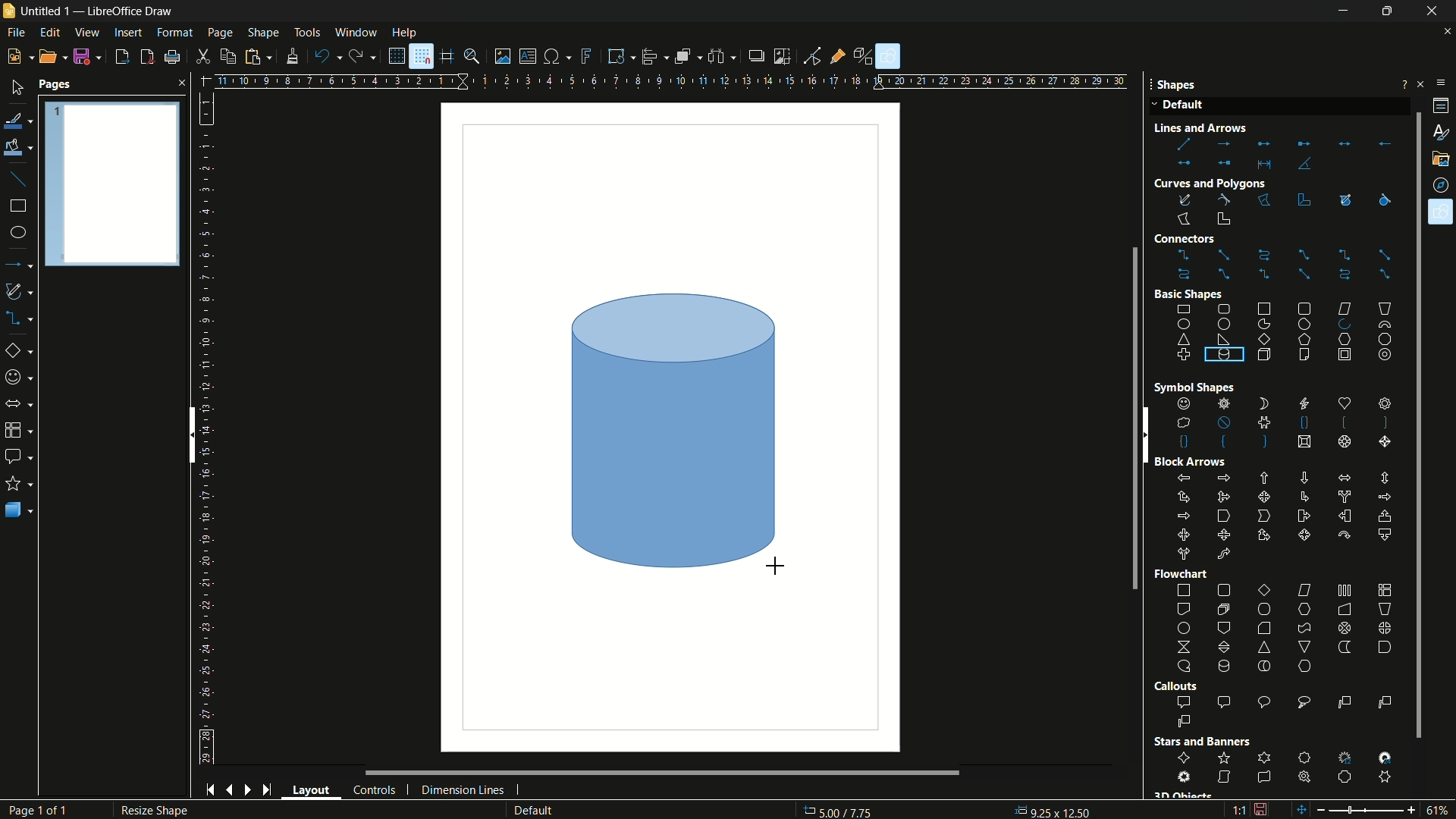 This screenshot has height=819, width=1456. What do you see at coordinates (673, 430) in the screenshot?
I see `cylinder` at bounding box center [673, 430].